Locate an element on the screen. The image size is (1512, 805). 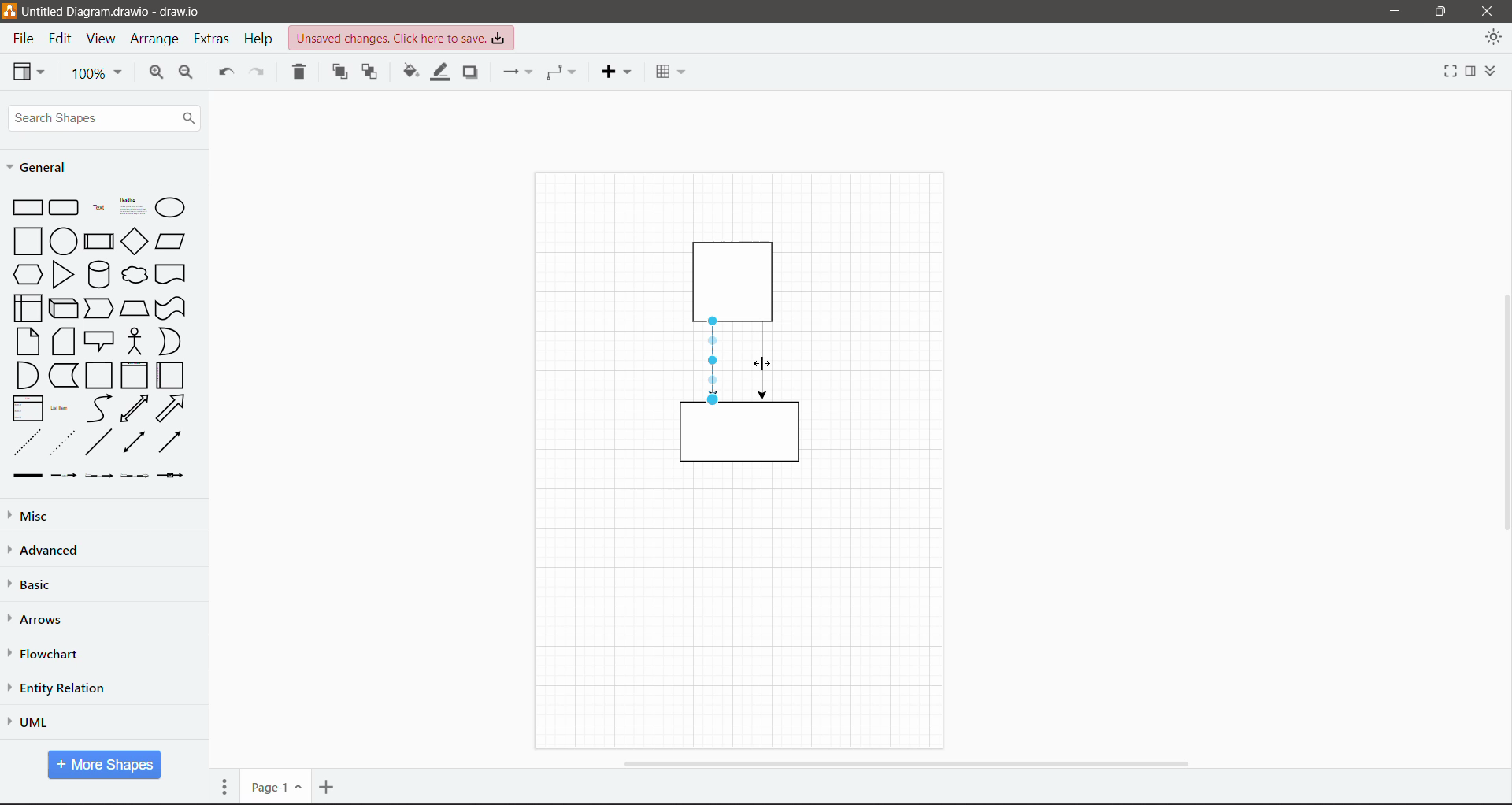
Arrows is located at coordinates (39, 620).